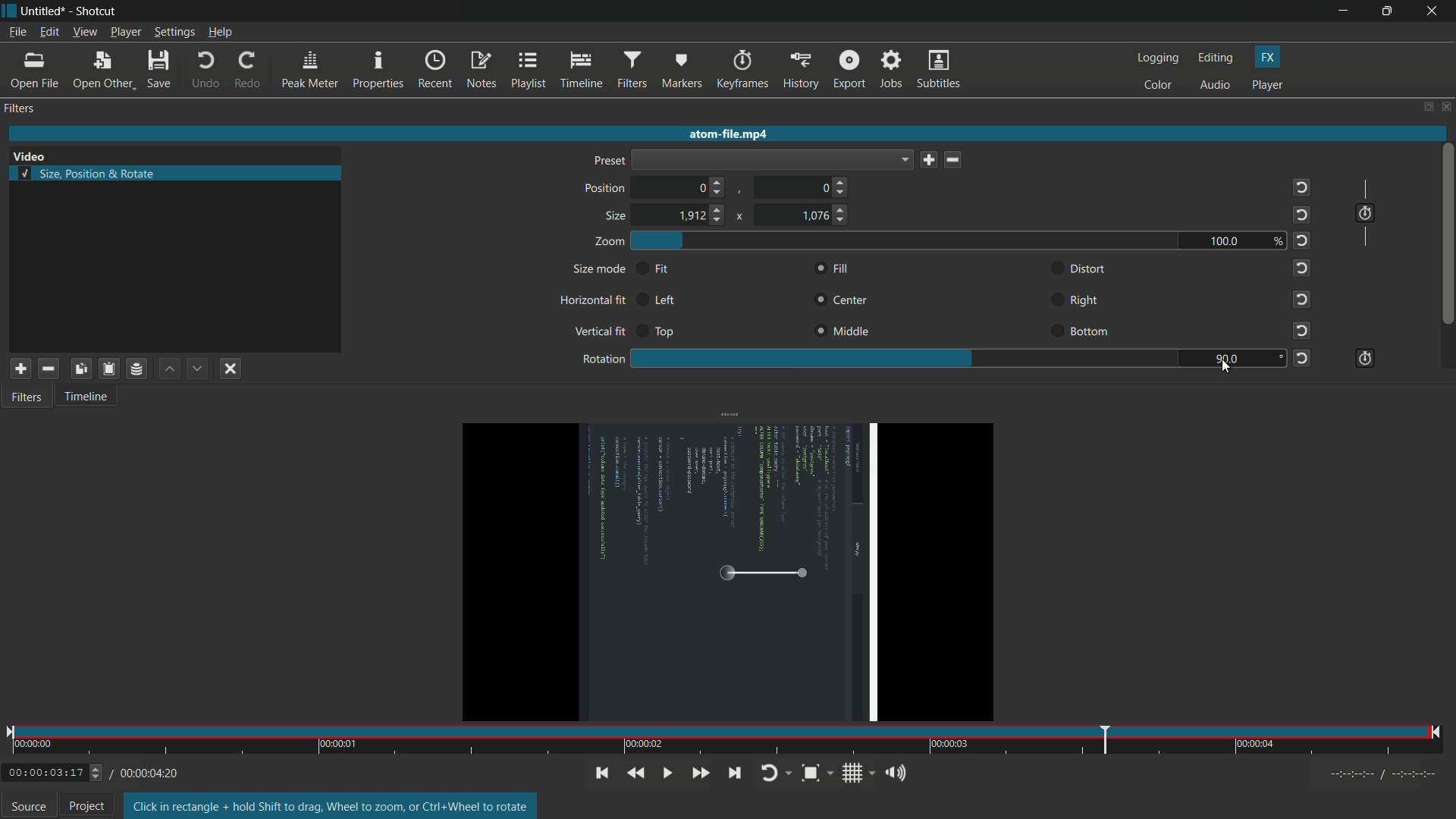  Describe the element at coordinates (1089, 270) in the screenshot. I see `distort` at that location.